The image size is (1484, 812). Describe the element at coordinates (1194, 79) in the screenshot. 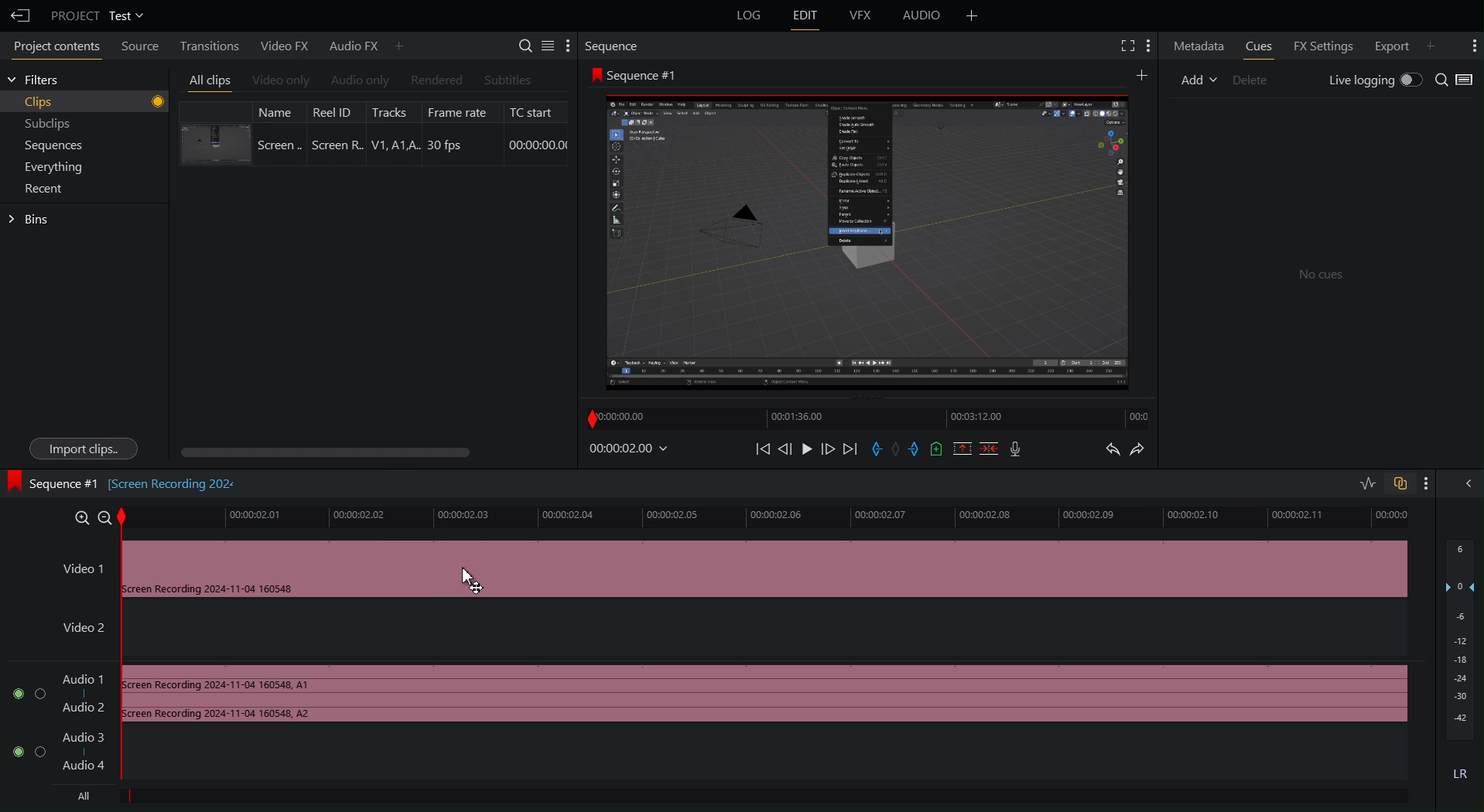

I see `Add` at that location.